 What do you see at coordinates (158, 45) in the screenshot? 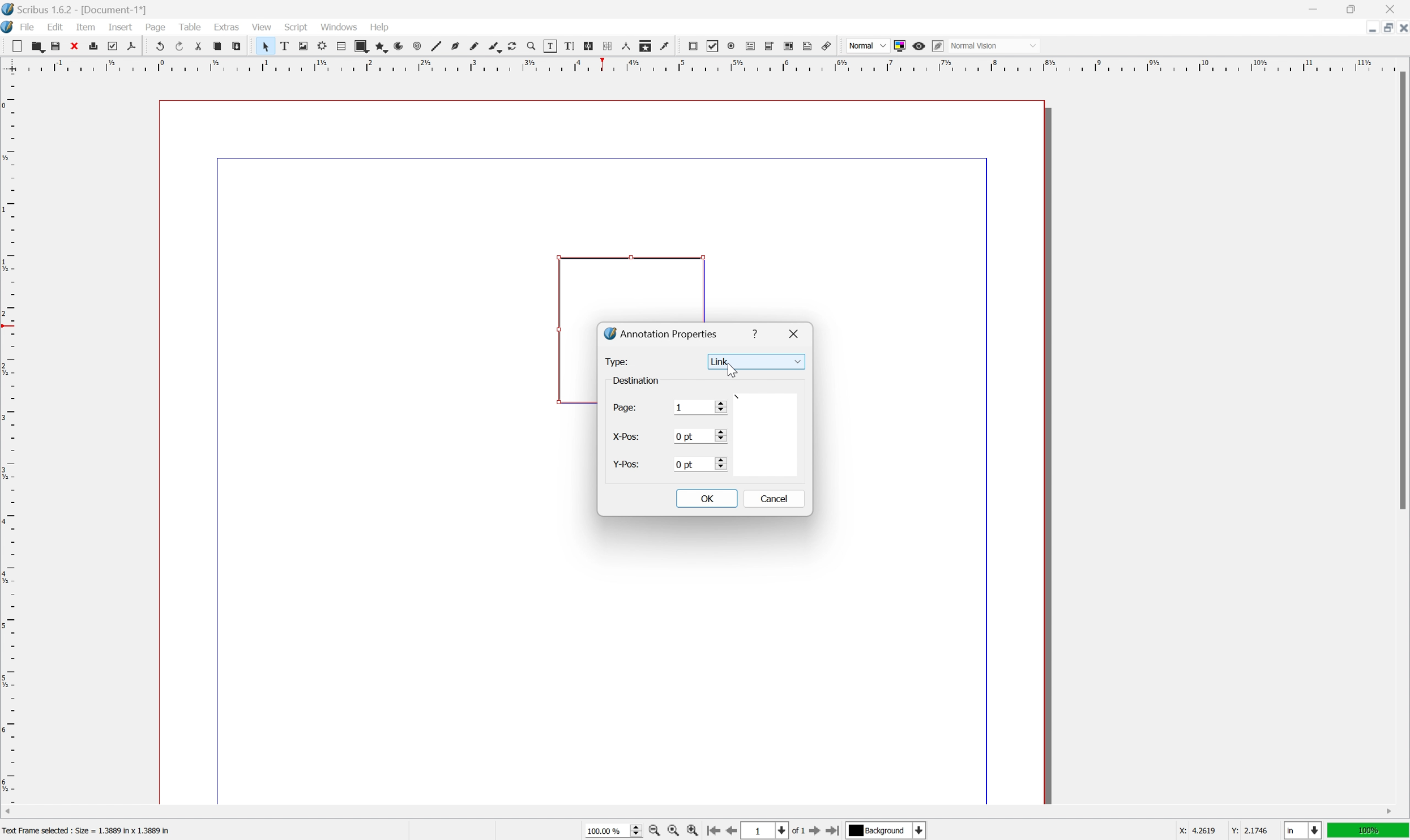
I see `undo` at bounding box center [158, 45].